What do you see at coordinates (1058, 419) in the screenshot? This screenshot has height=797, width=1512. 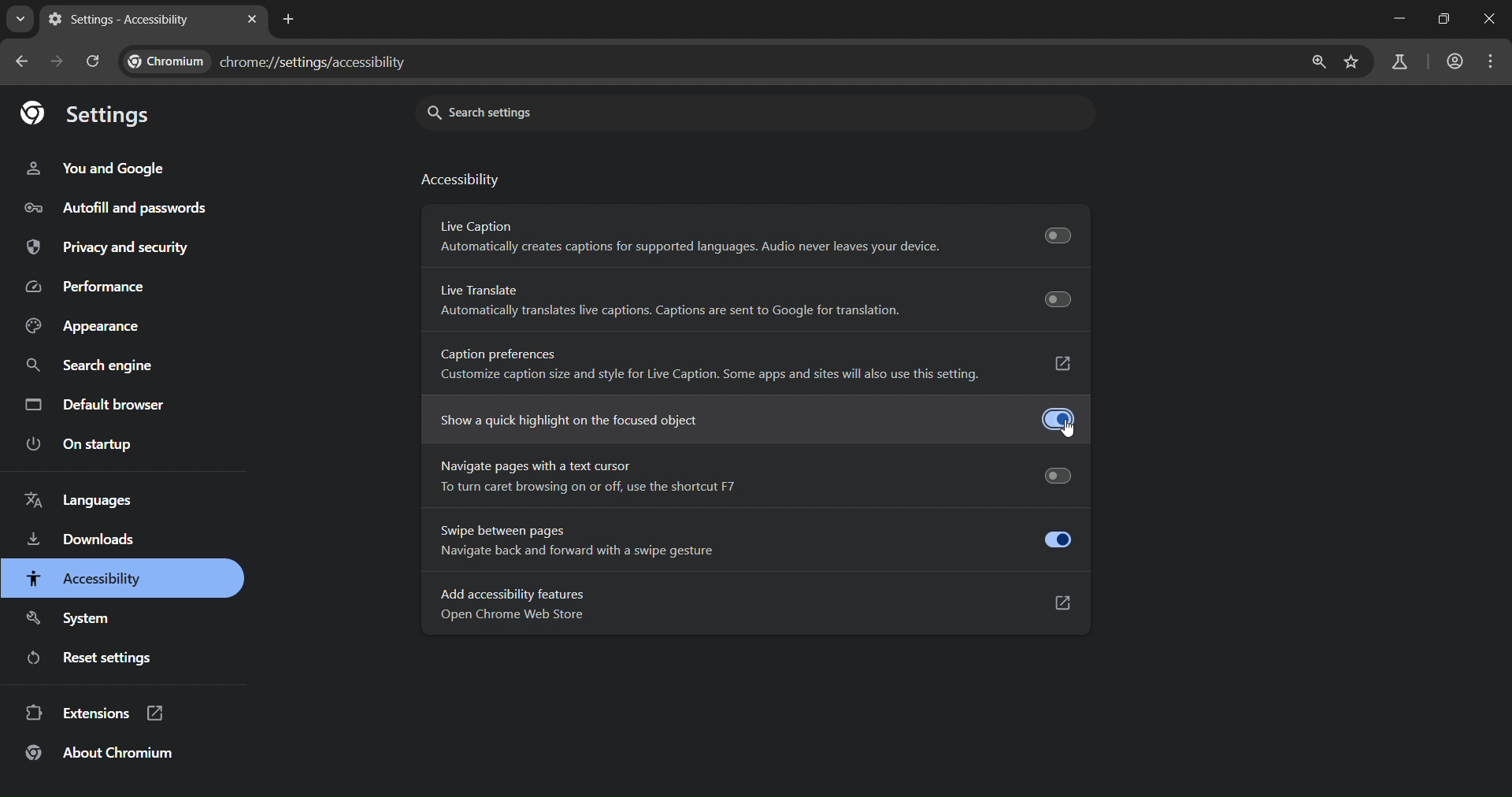 I see `toggle` at bounding box center [1058, 419].